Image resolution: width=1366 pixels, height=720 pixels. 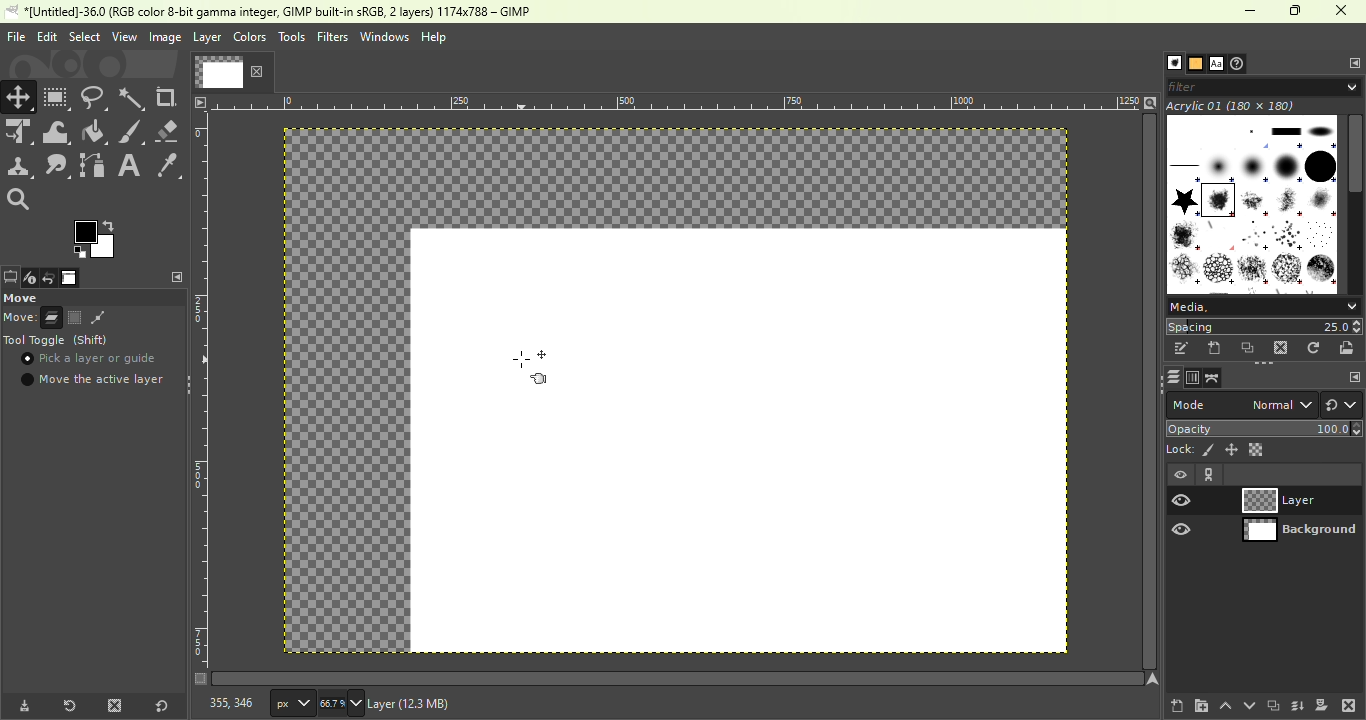 What do you see at coordinates (1264, 326) in the screenshot?
I see `Spacing` at bounding box center [1264, 326].